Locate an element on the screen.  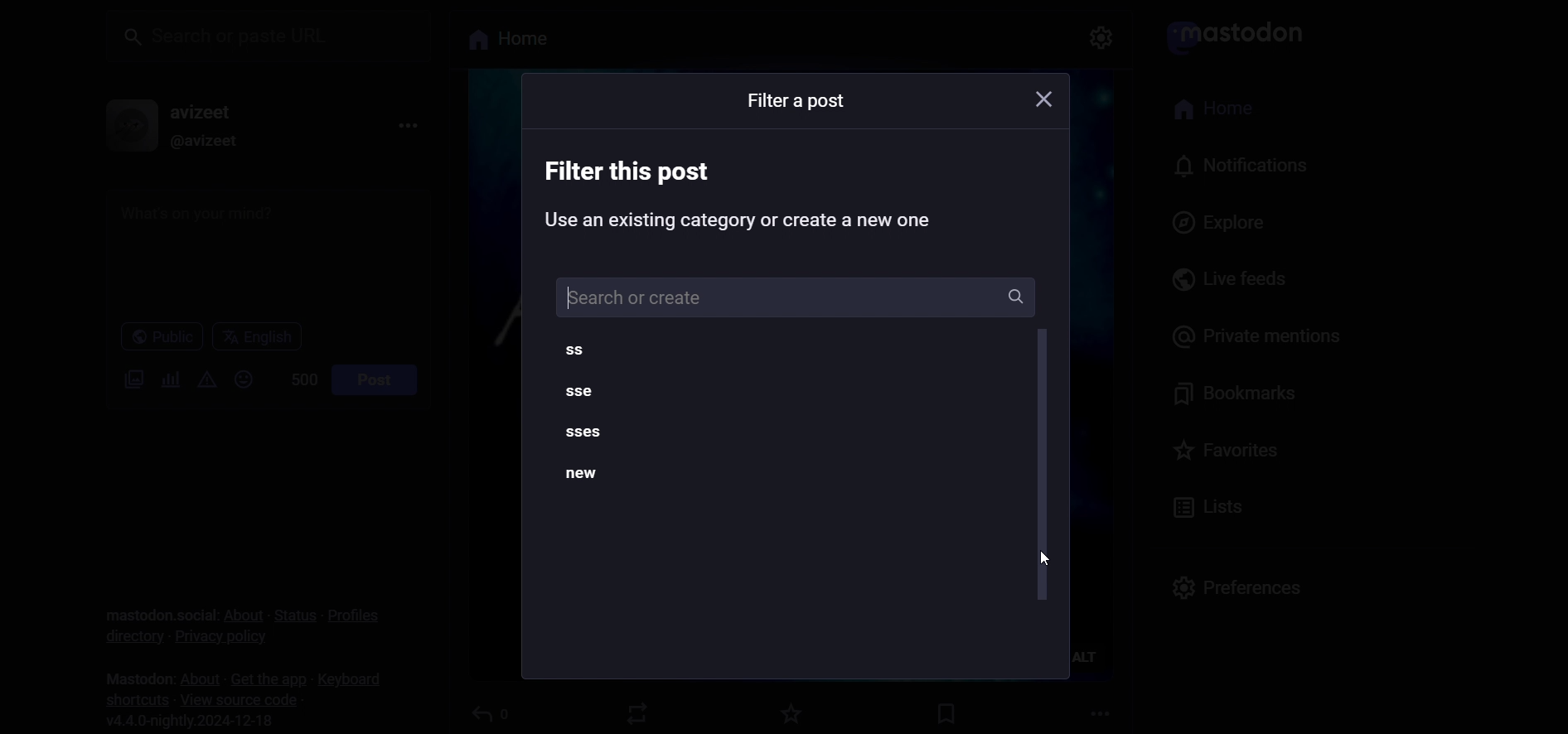
old filters is located at coordinates (603, 422).